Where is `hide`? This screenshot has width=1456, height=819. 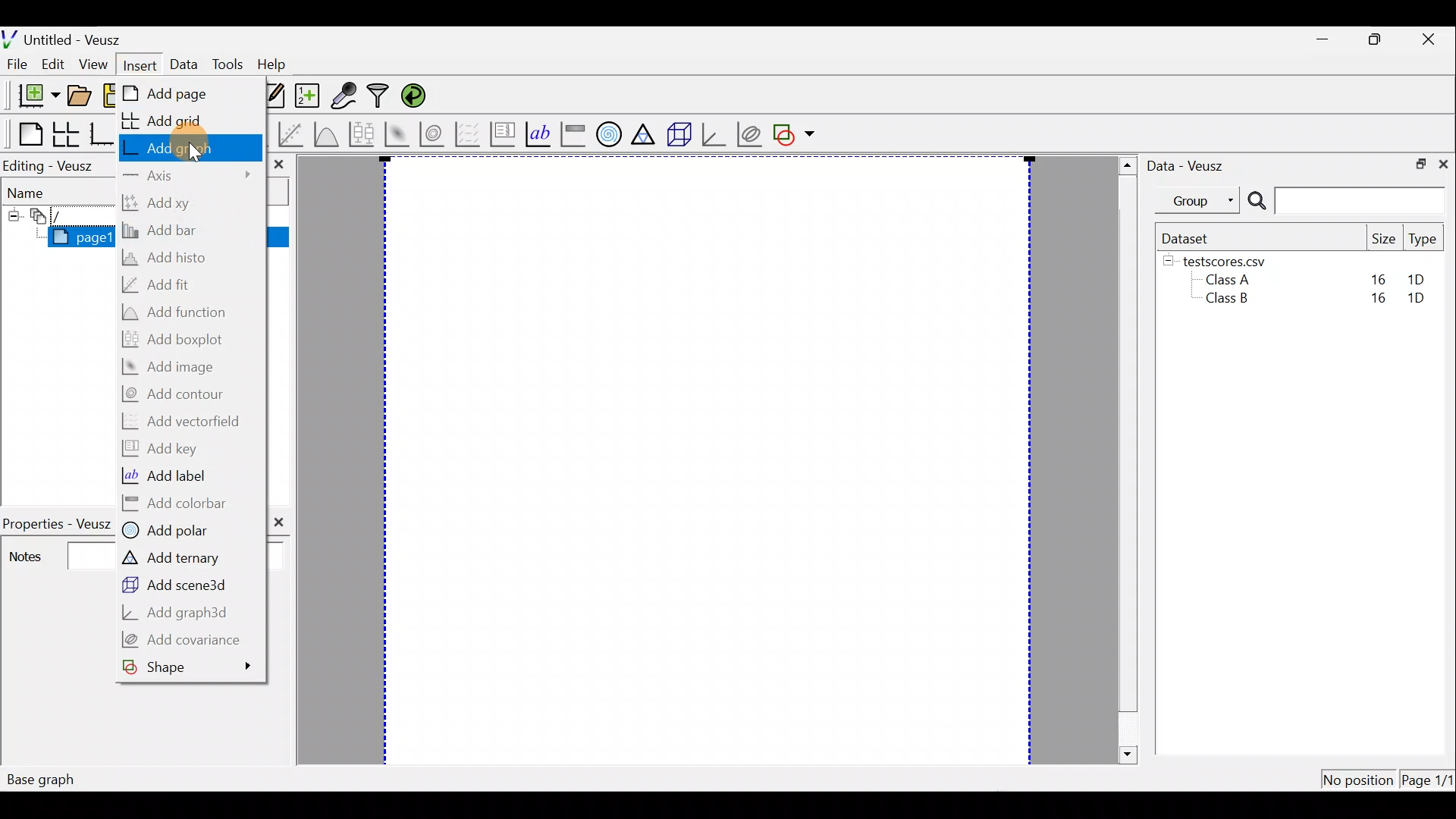 hide is located at coordinates (1169, 262).